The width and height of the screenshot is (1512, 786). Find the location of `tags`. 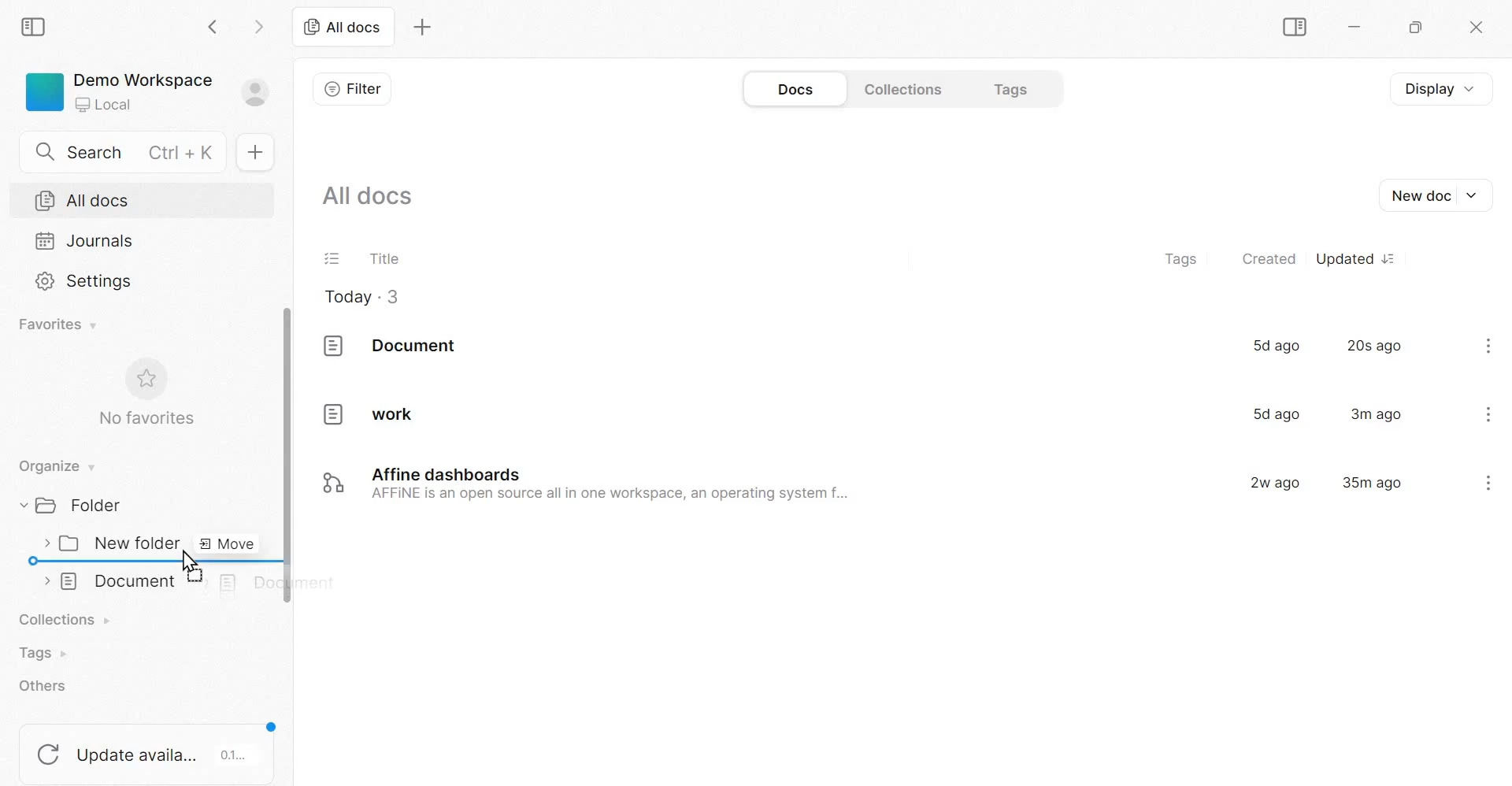

tags is located at coordinates (1182, 257).